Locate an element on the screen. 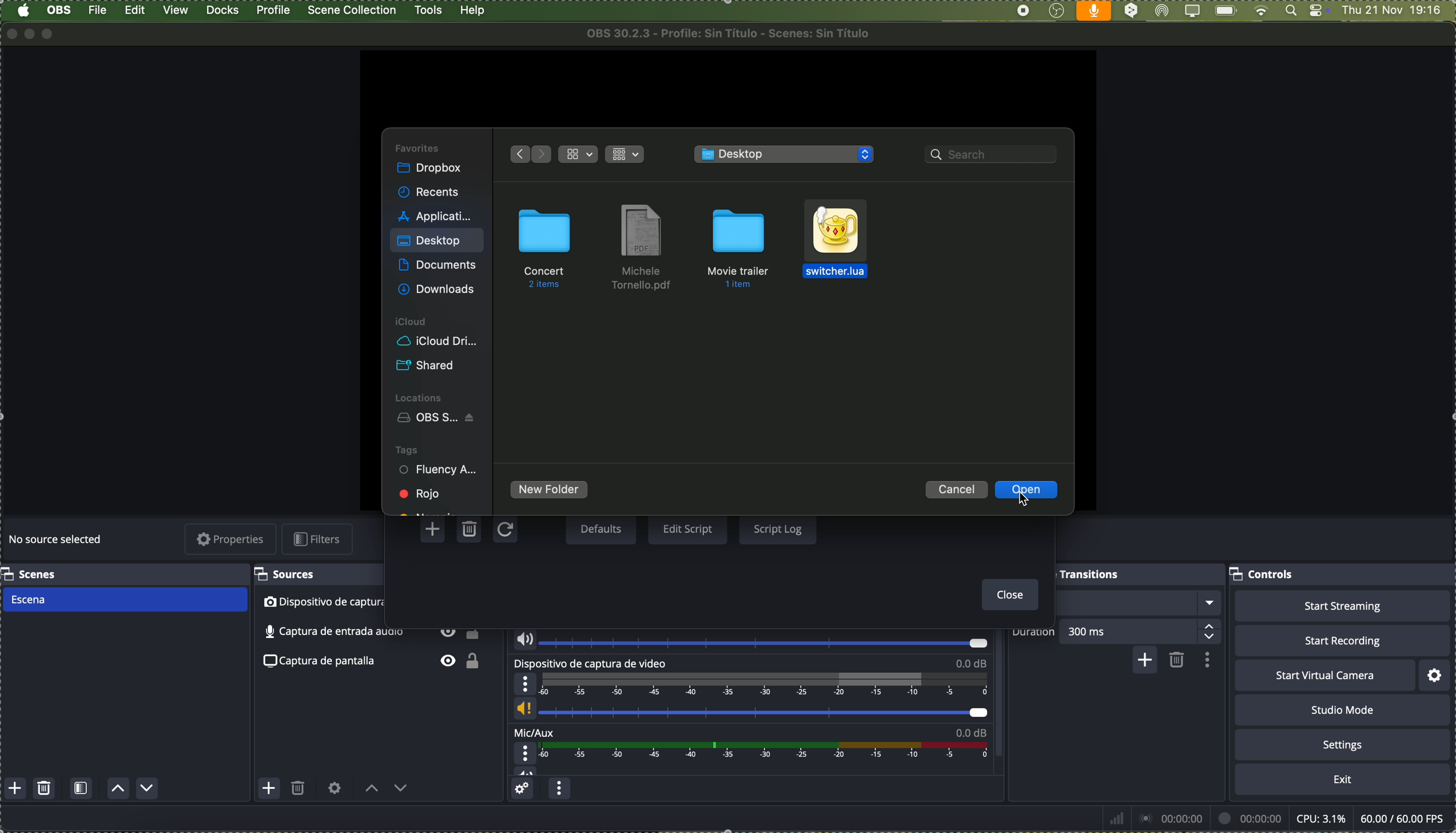  click on desktop is located at coordinates (430, 243).